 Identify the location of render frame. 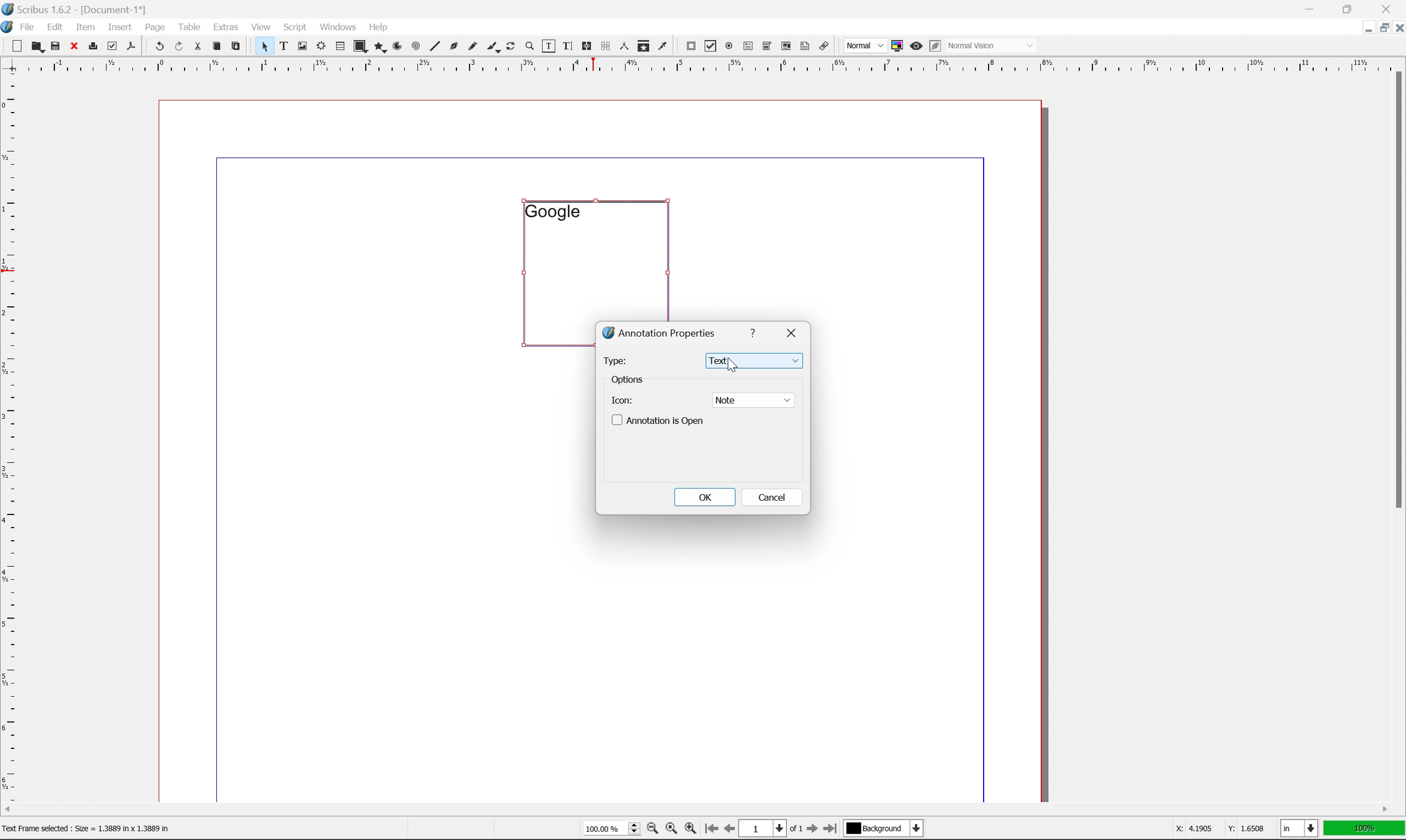
(320, 45).